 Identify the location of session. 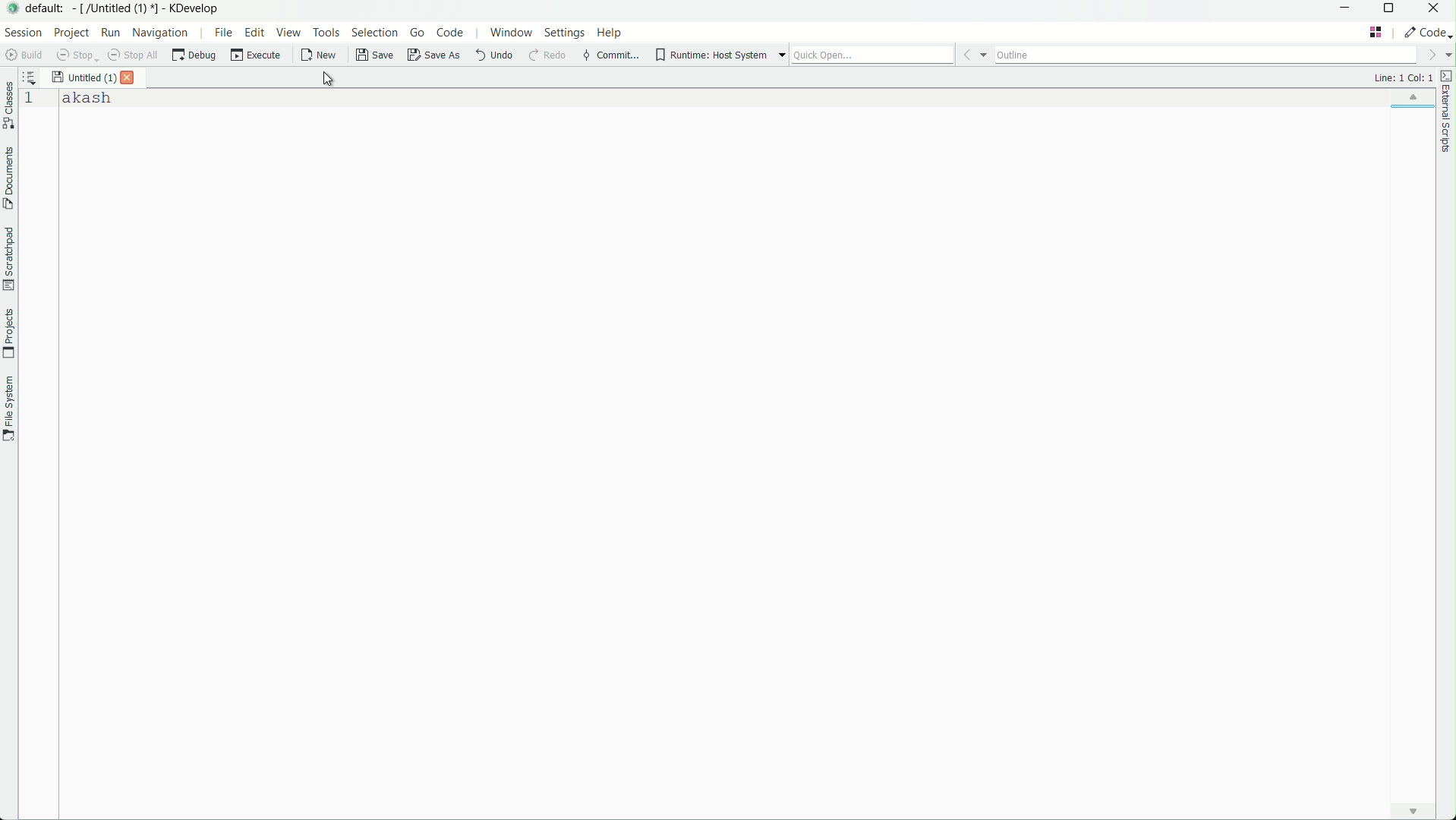
(24, 33).